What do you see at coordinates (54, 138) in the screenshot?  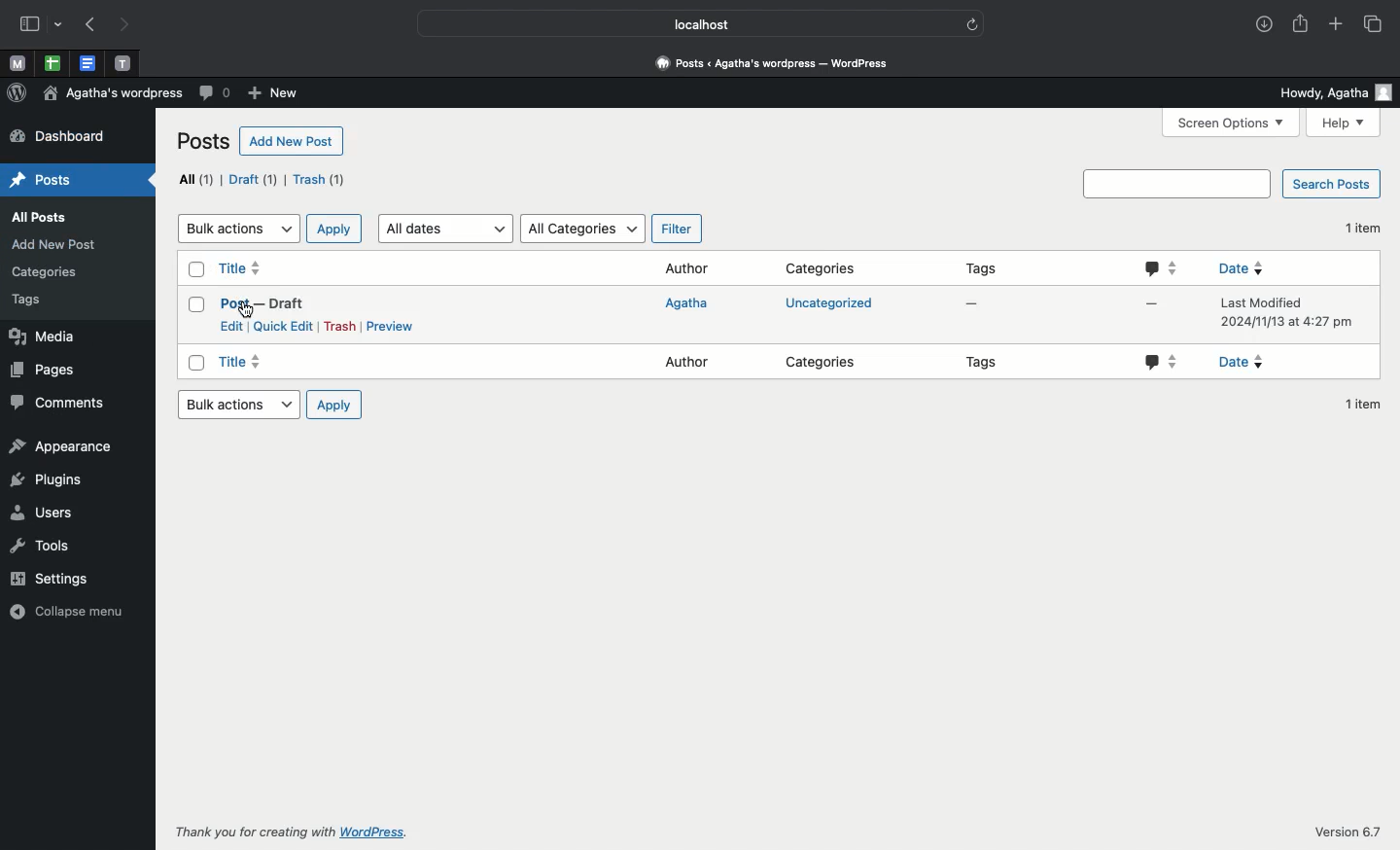 I see `Dashboard` at bounding box center [54, 138].